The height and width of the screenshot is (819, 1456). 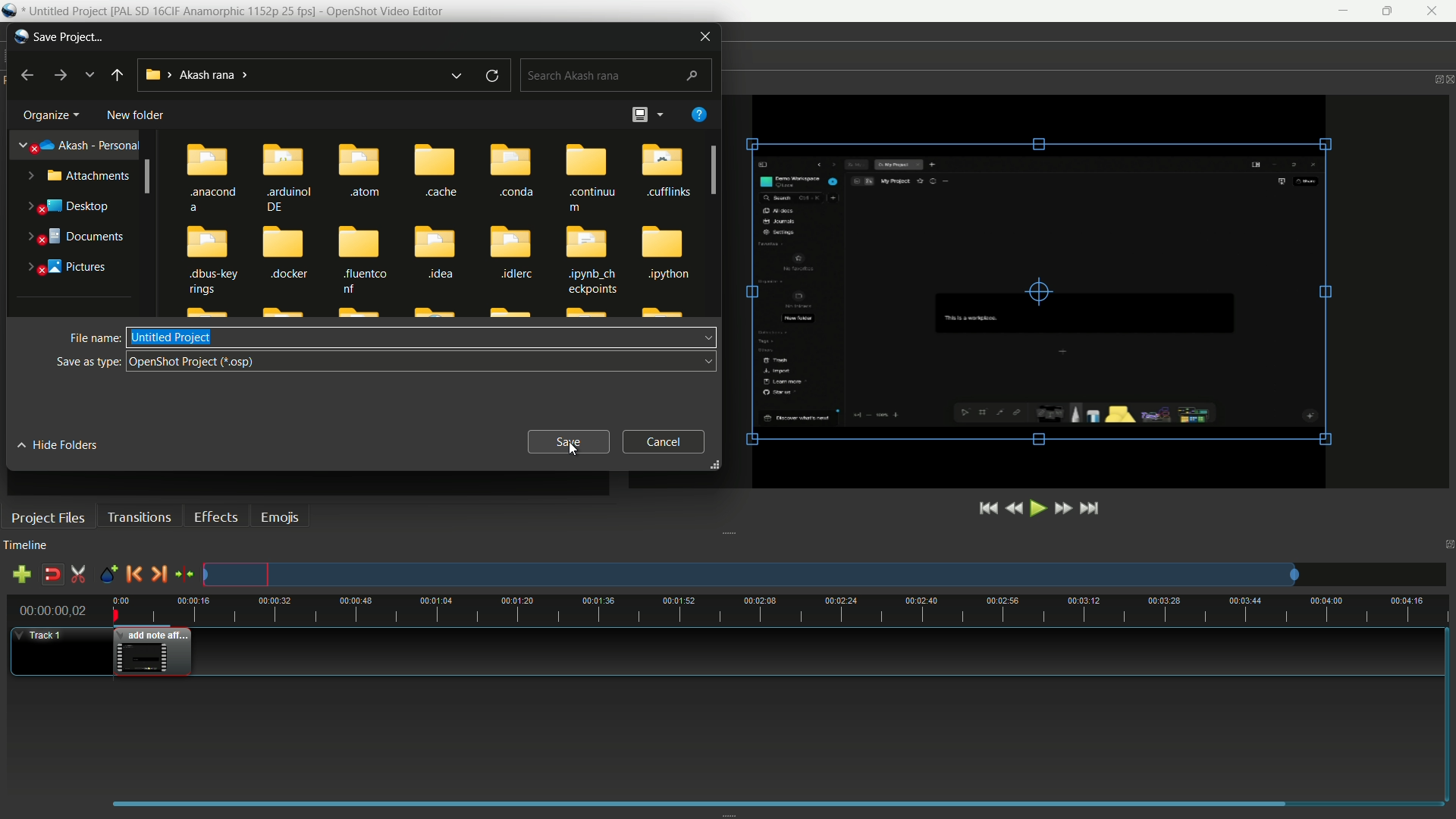 I want to click on close timeline, so click(x=1447, y=545).